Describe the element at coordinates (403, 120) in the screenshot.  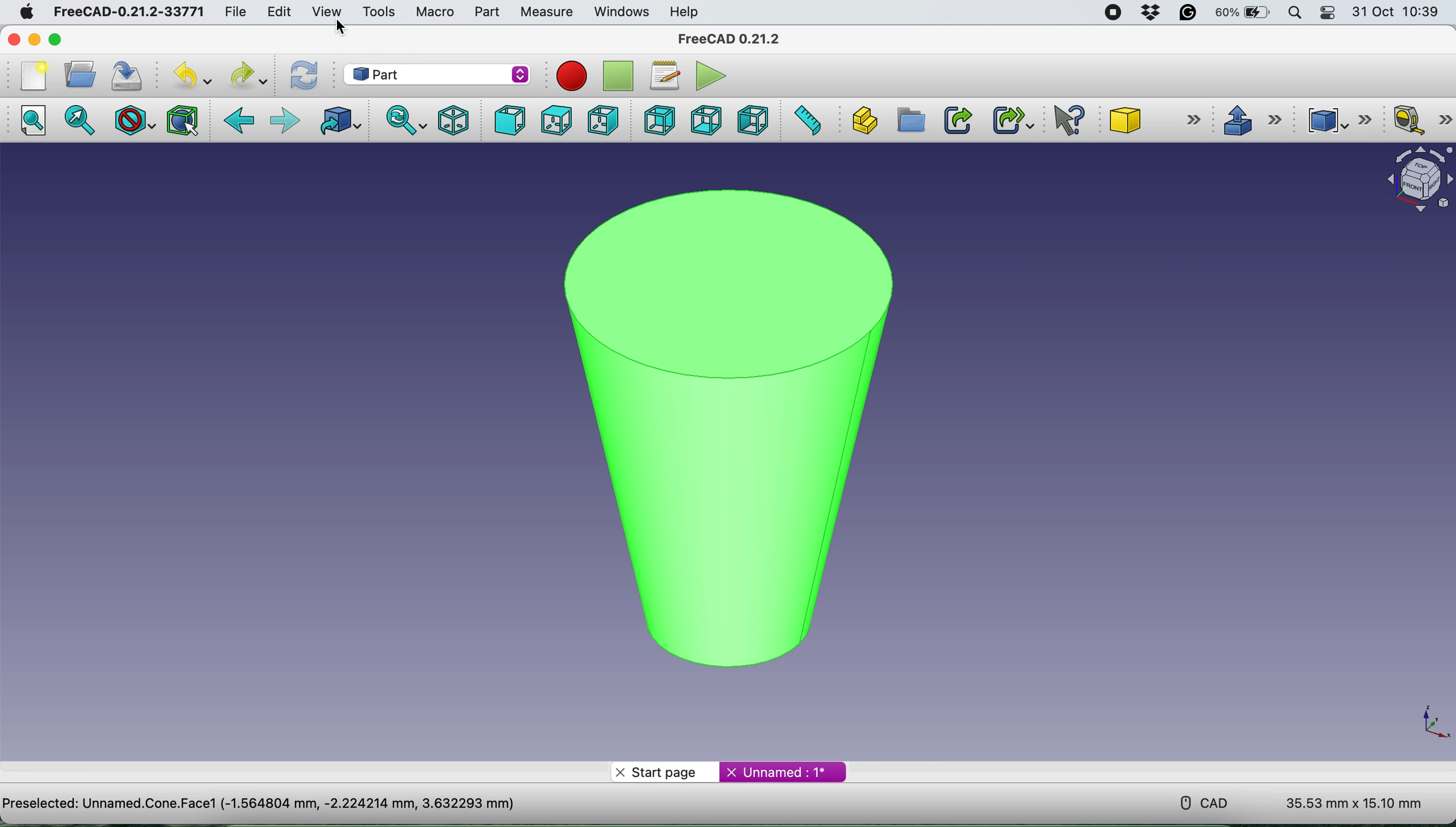
I see `sync view` at that location.